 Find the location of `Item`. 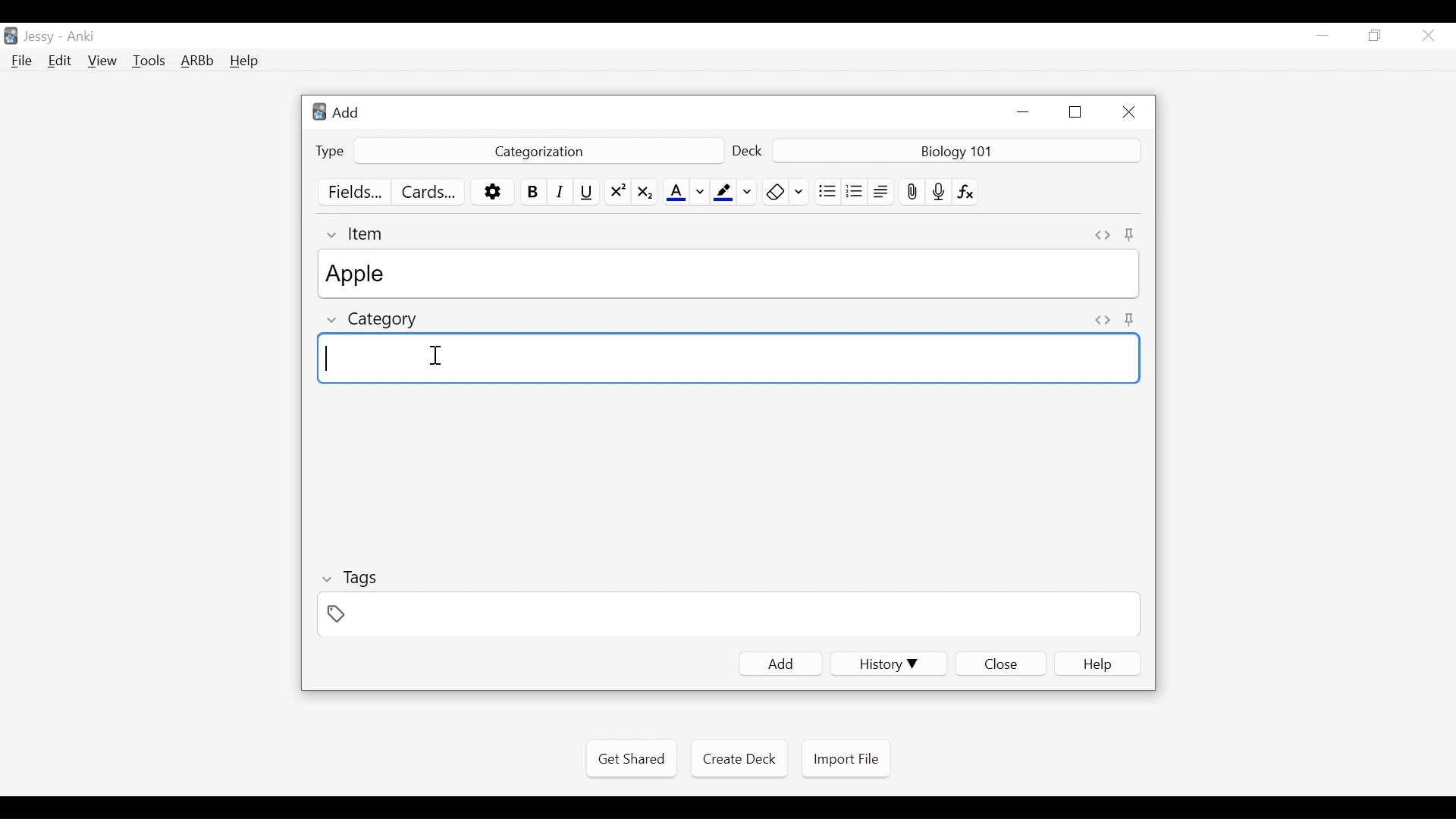

Item is located at coordinates (358, 234).